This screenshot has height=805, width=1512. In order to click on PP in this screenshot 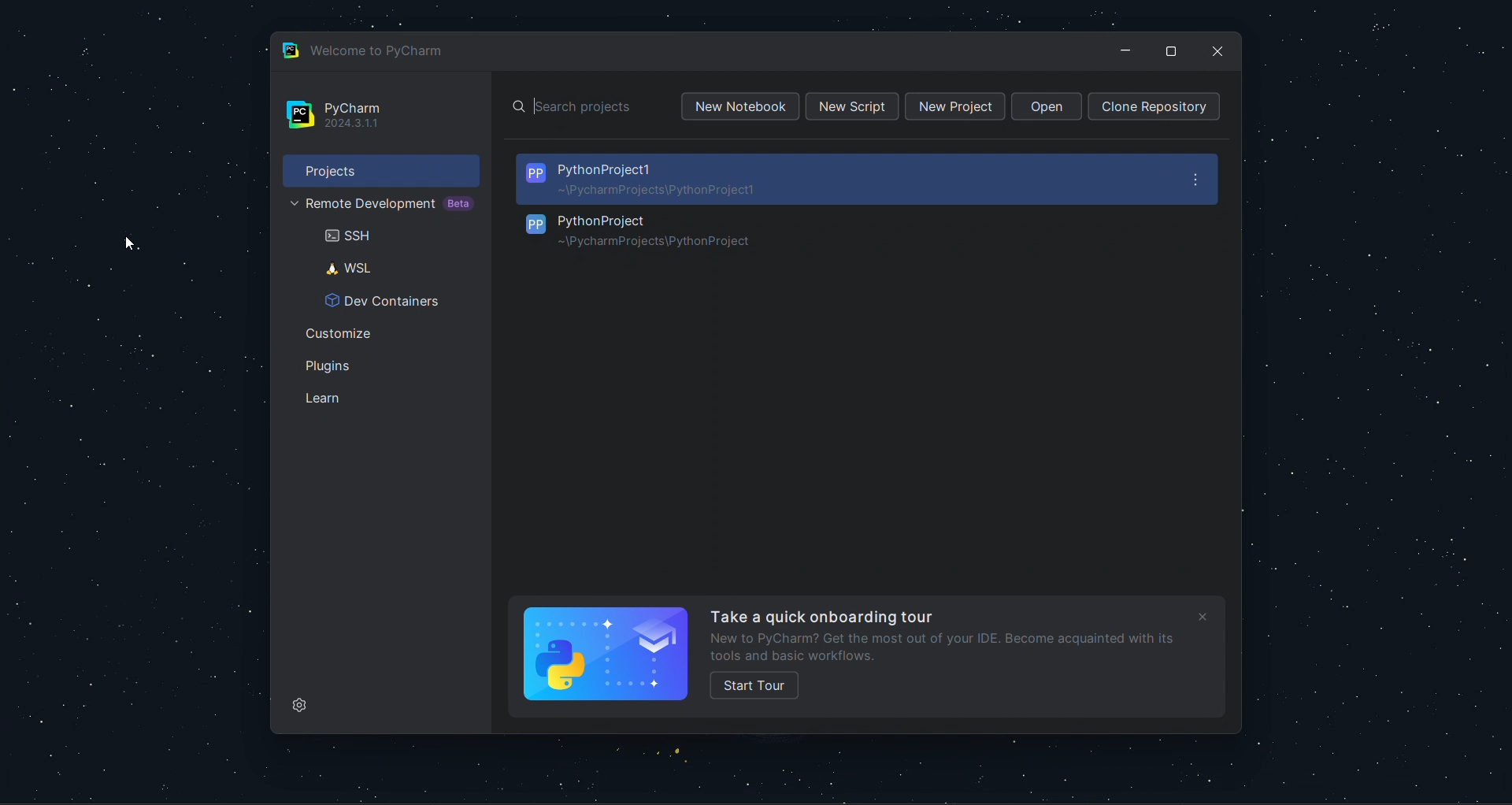, I will do `click(535, 172)`.